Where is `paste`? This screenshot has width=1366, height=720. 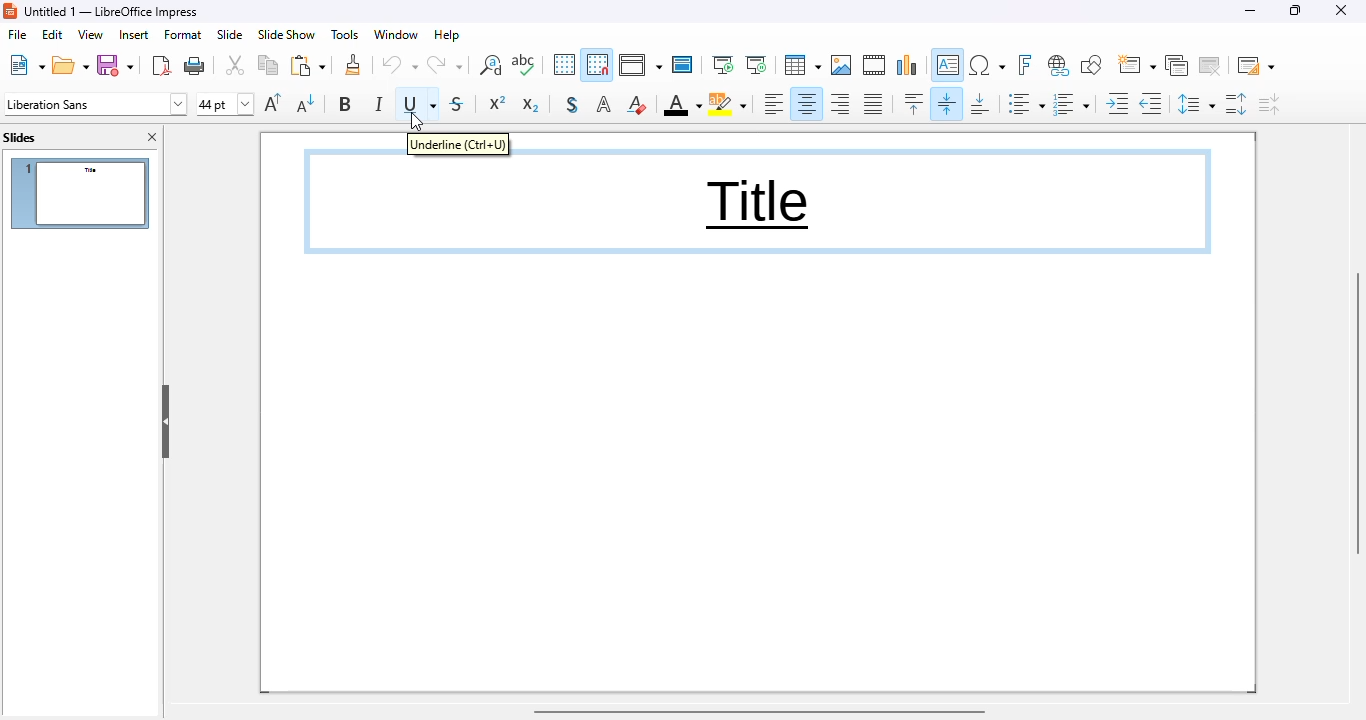
paste is located at coordinates (308, 65).